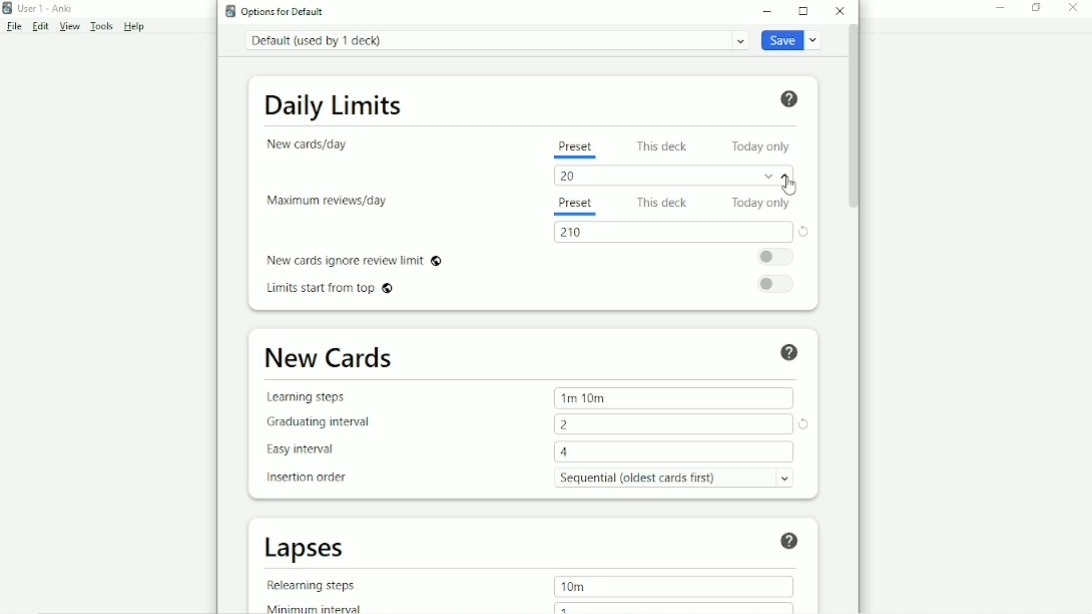 The image size is (1092, 614). What do you see at coordinates (571, 234) in the screenshot?
I see `210` at bounding box center [571, 234].